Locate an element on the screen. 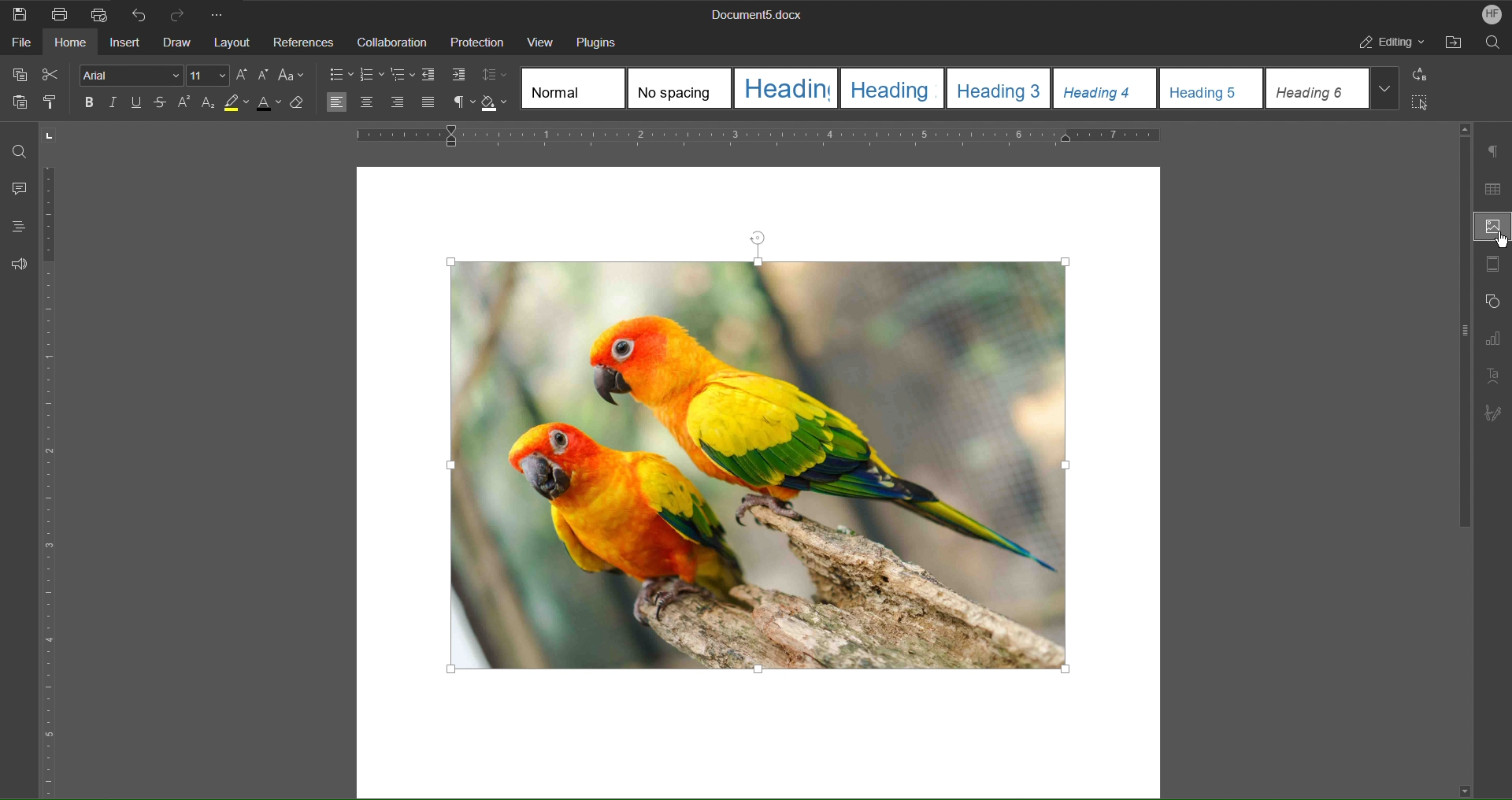 This screenshot has height=800, width=1512. Comment is located at coordinates (16, 190).